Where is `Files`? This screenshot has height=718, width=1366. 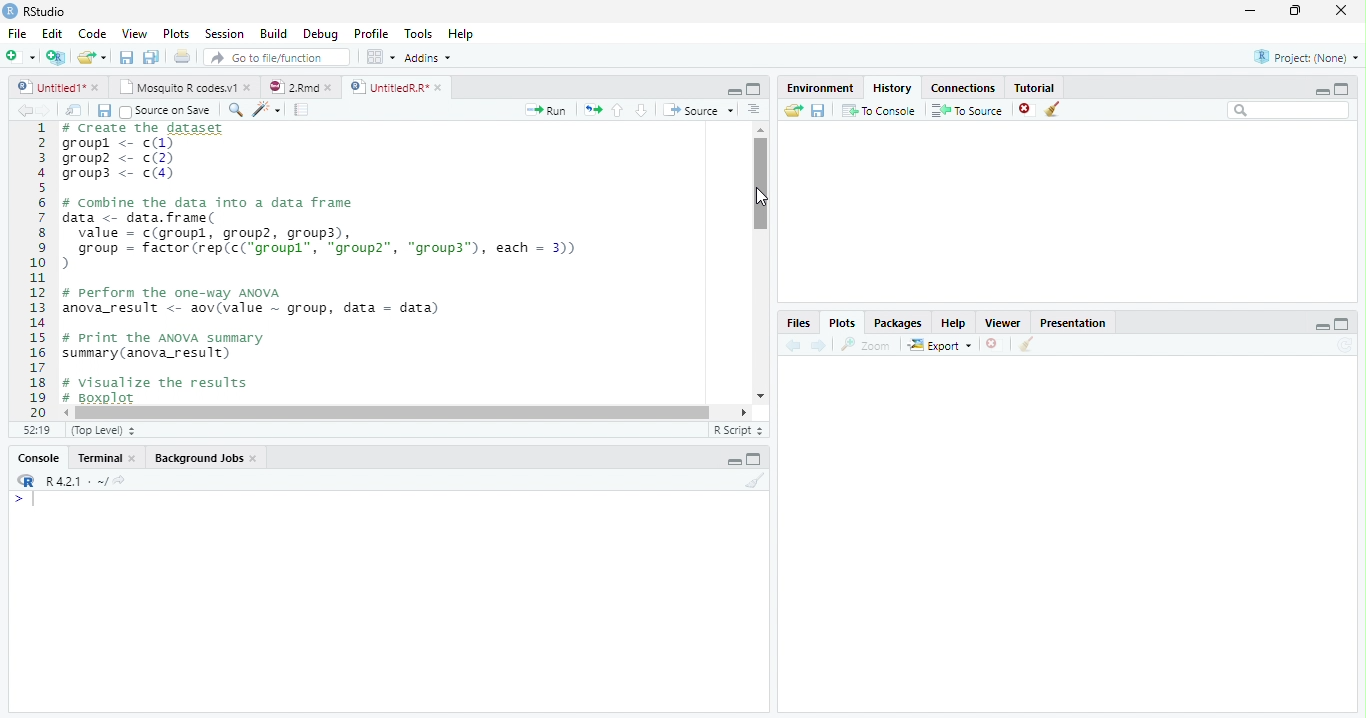
Files is located at coordinates (797, 323).